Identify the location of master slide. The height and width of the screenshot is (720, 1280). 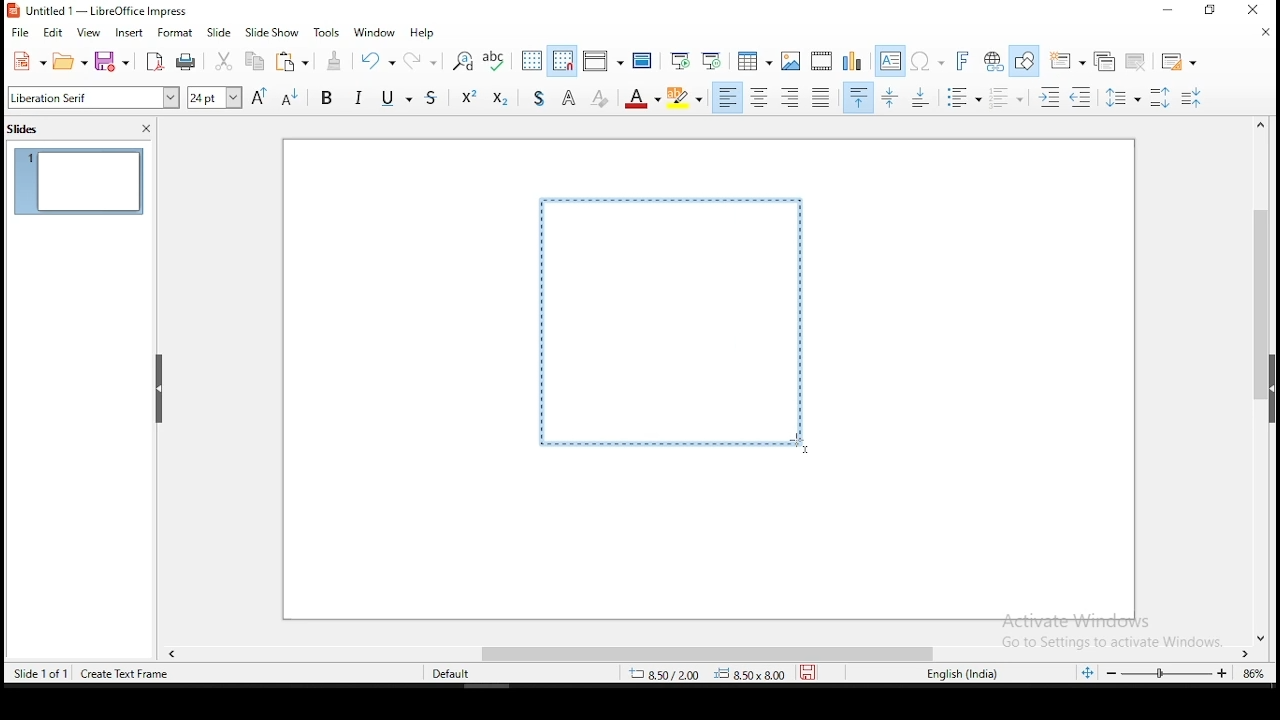
(644, 63).